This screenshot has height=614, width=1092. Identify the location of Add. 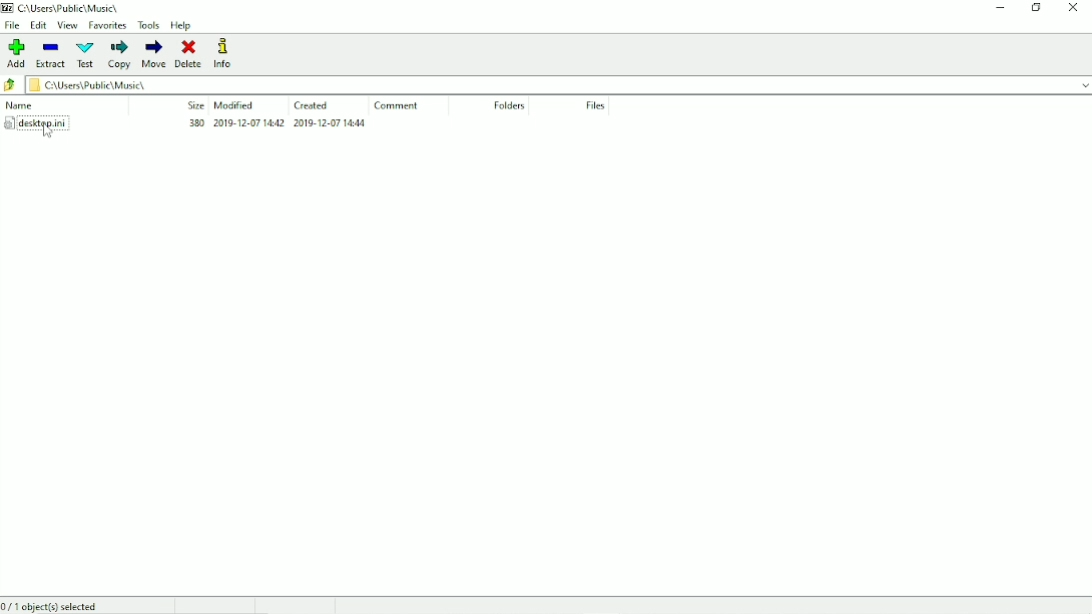
(17, 53).